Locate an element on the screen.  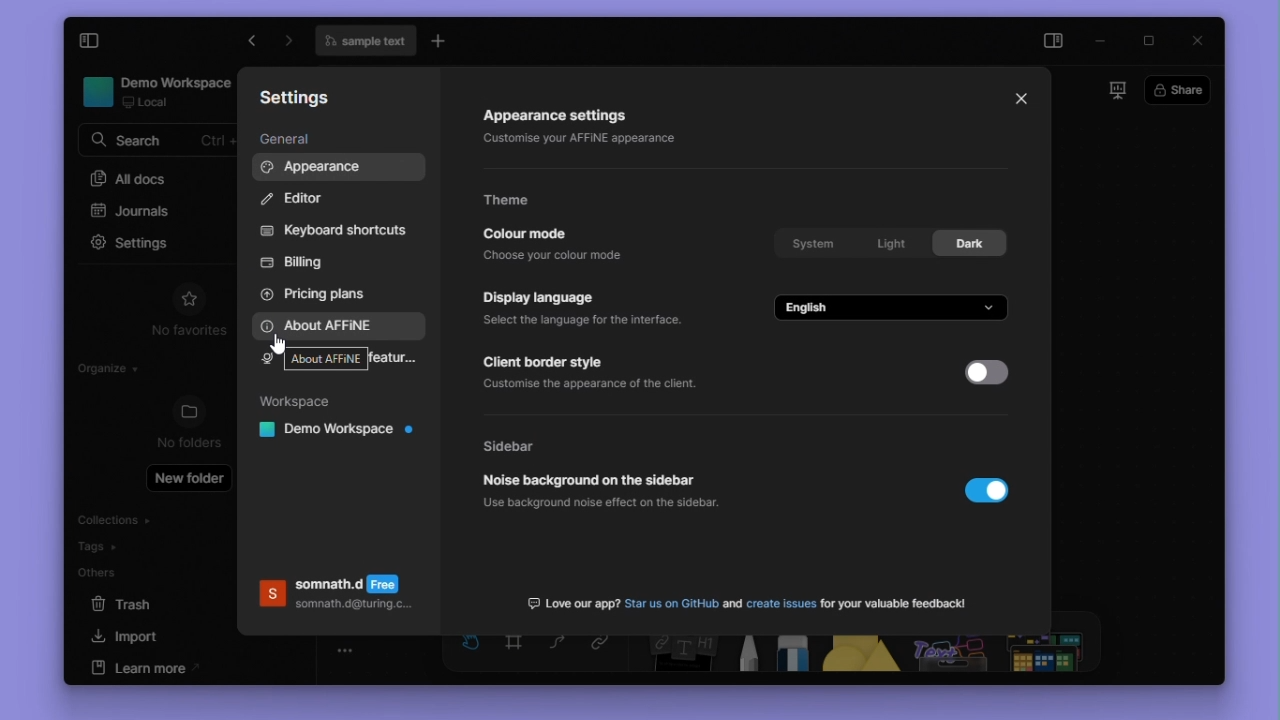
settings is located at coordinates (137, 241).